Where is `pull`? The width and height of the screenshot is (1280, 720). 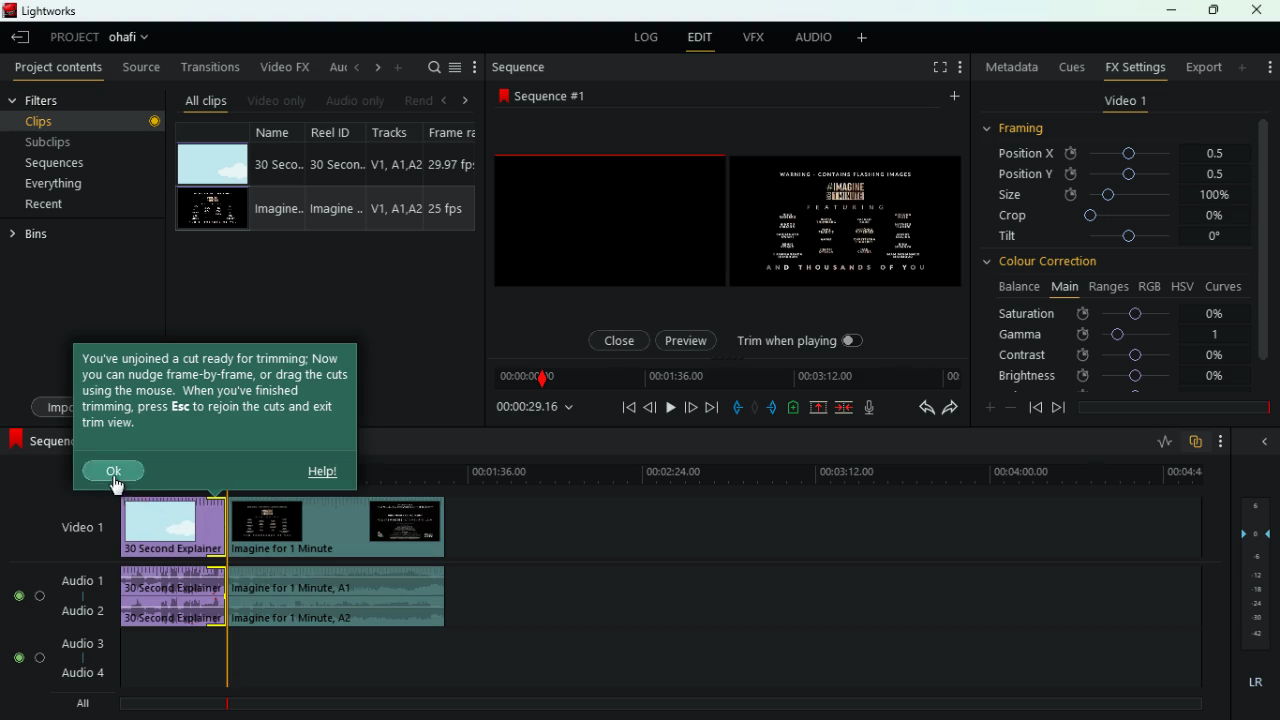 pull is located at coordinates (737, 408).